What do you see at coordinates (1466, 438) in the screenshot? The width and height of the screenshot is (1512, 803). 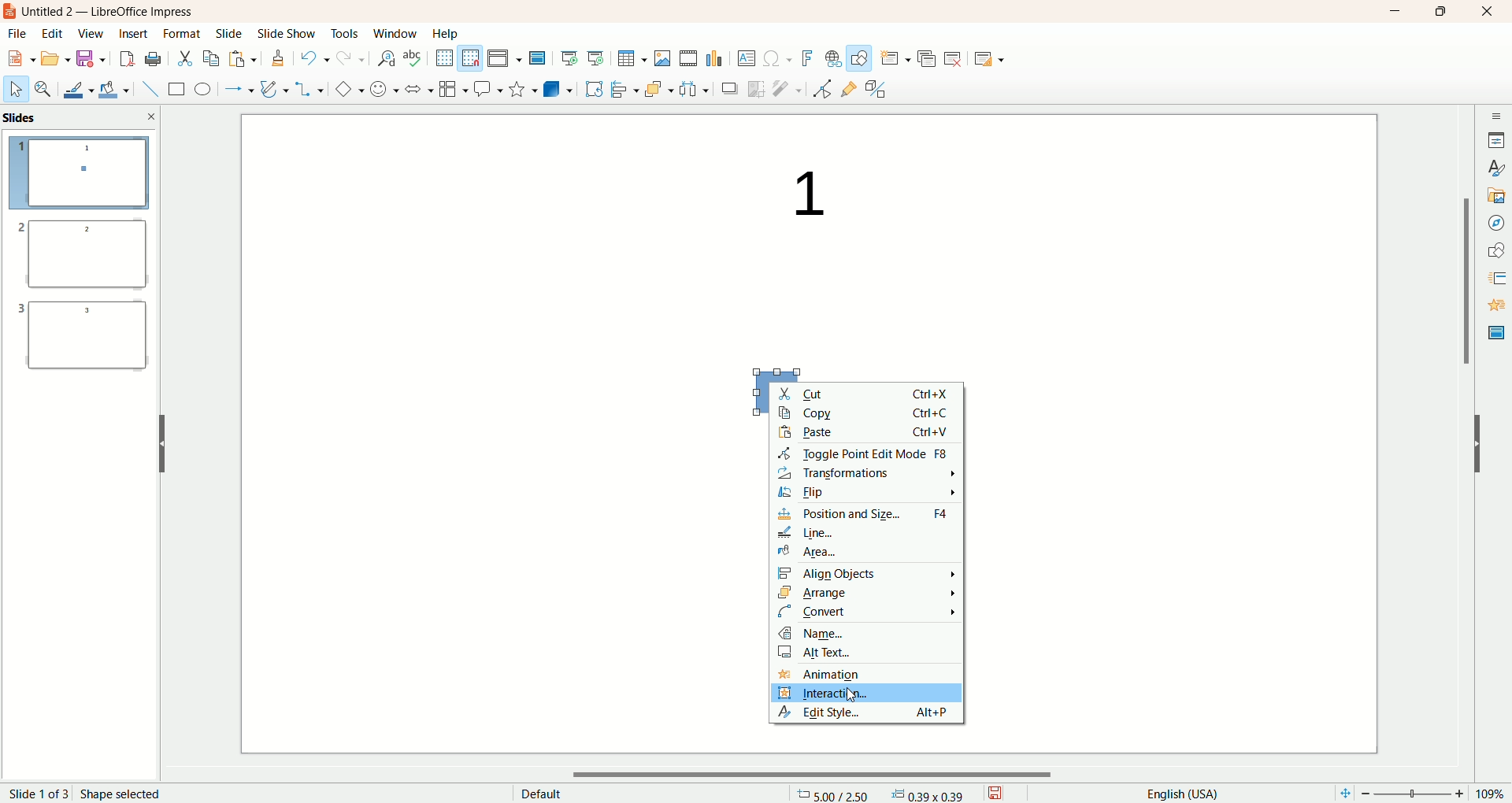 I see `vertical scroll bar` at bounding box center [1466, 438].